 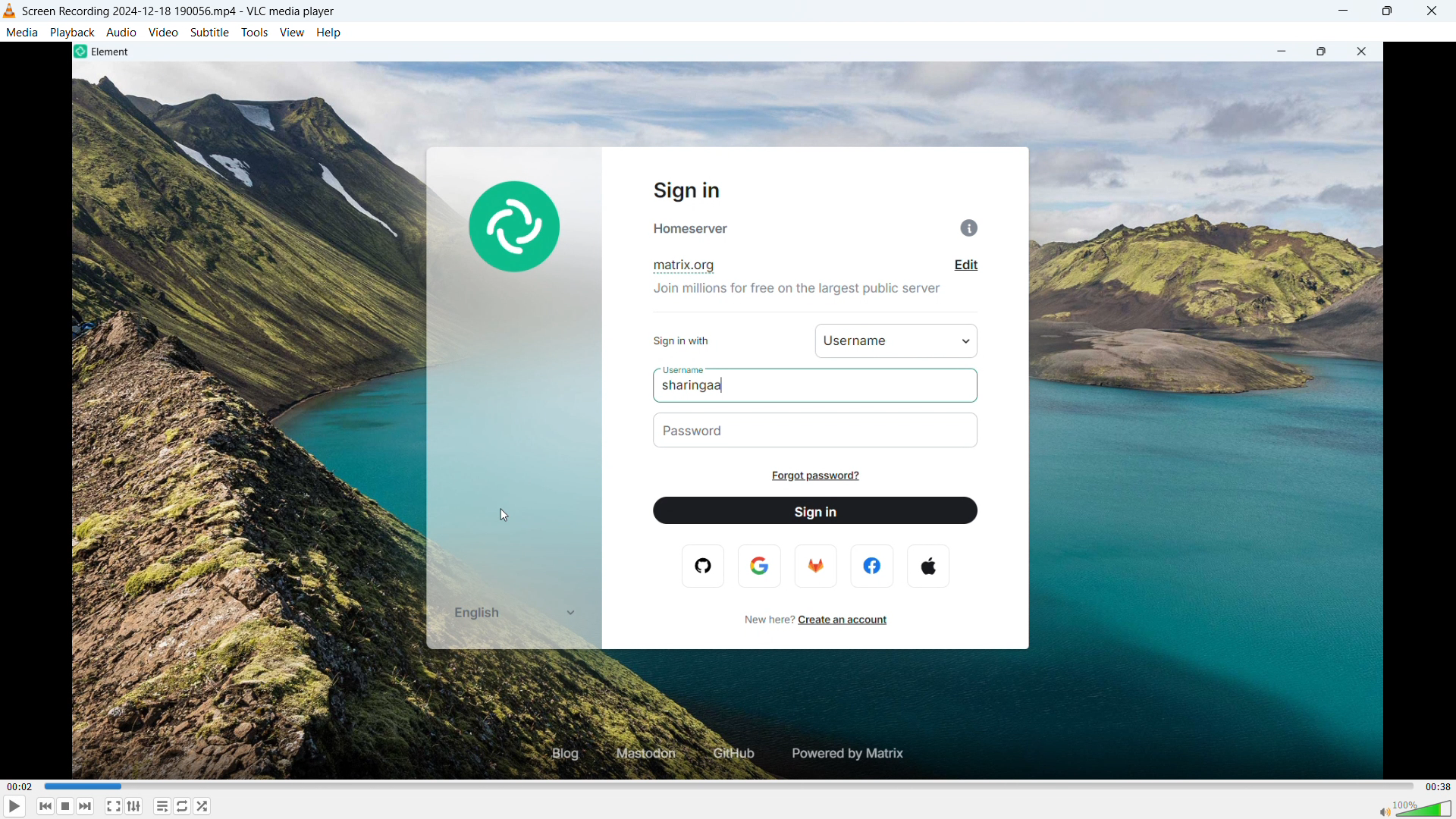 I want to click on minimize, so click(x=1341, y=11).